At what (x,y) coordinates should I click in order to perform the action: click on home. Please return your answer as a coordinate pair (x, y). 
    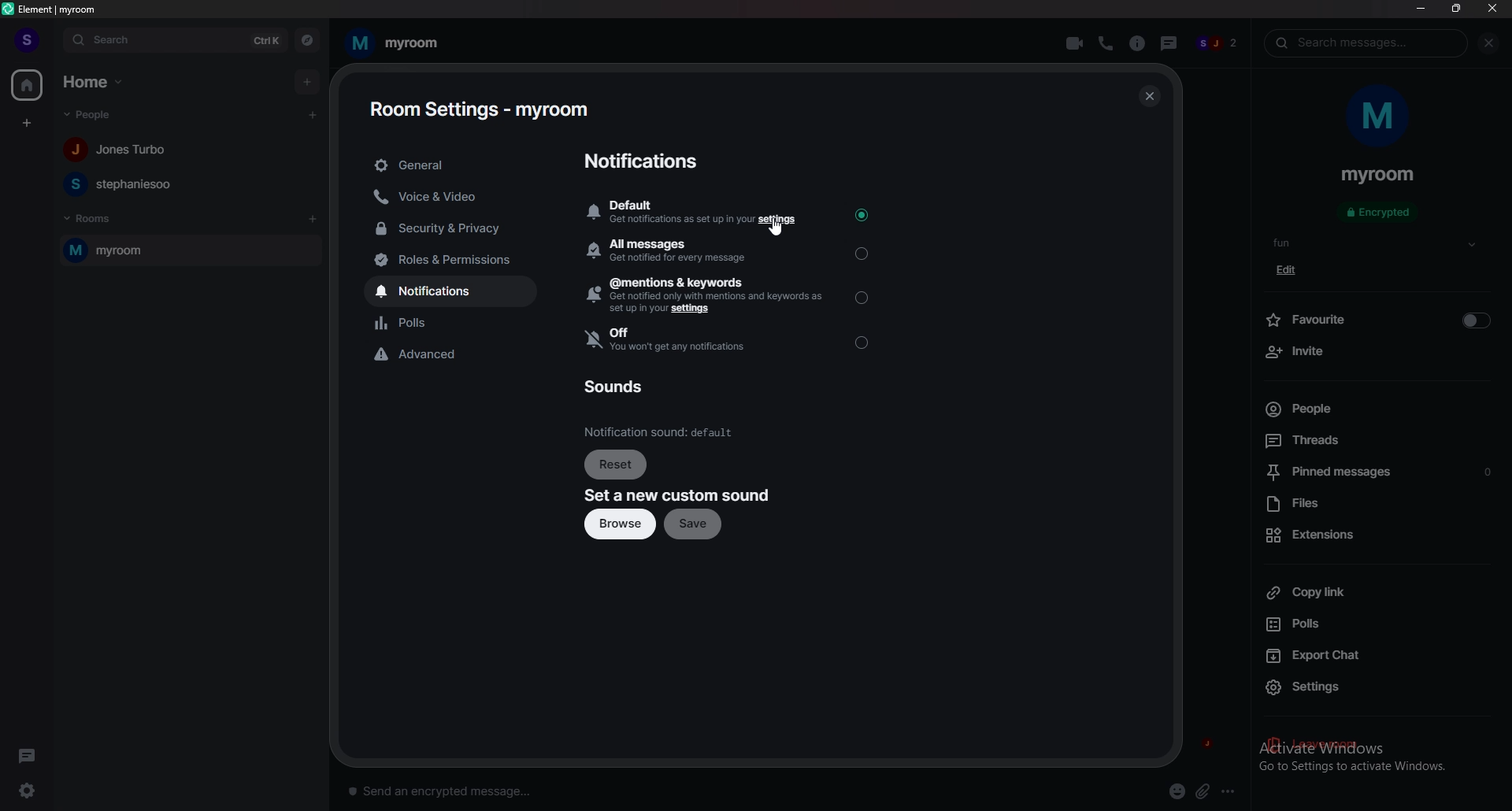
    Looking at the image, I should click on (26, 84).